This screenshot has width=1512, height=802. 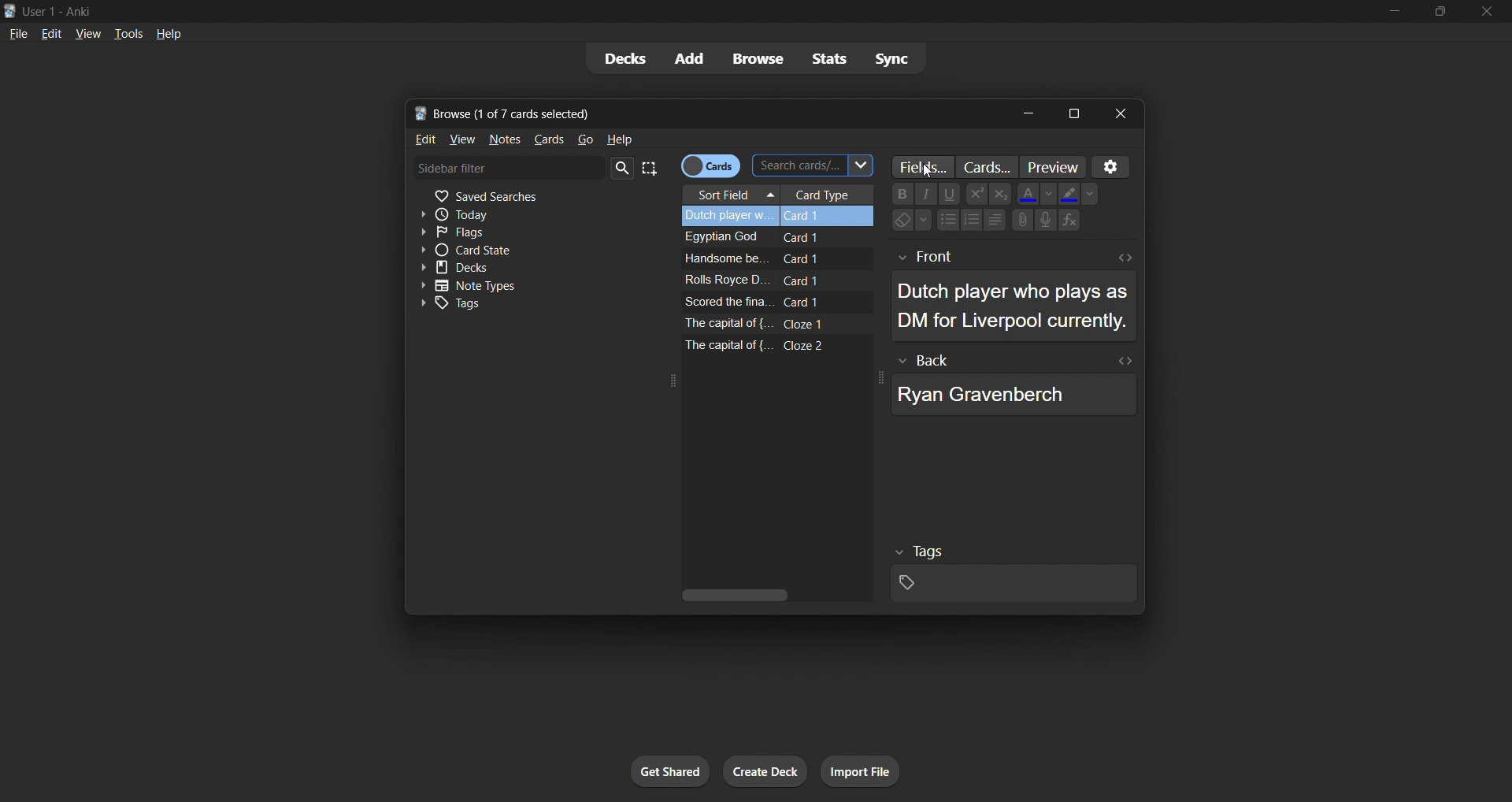 What do you see at coordinates (897, 222) in the screenshot?
I see `Eraser` at bounding box center [897, 222].